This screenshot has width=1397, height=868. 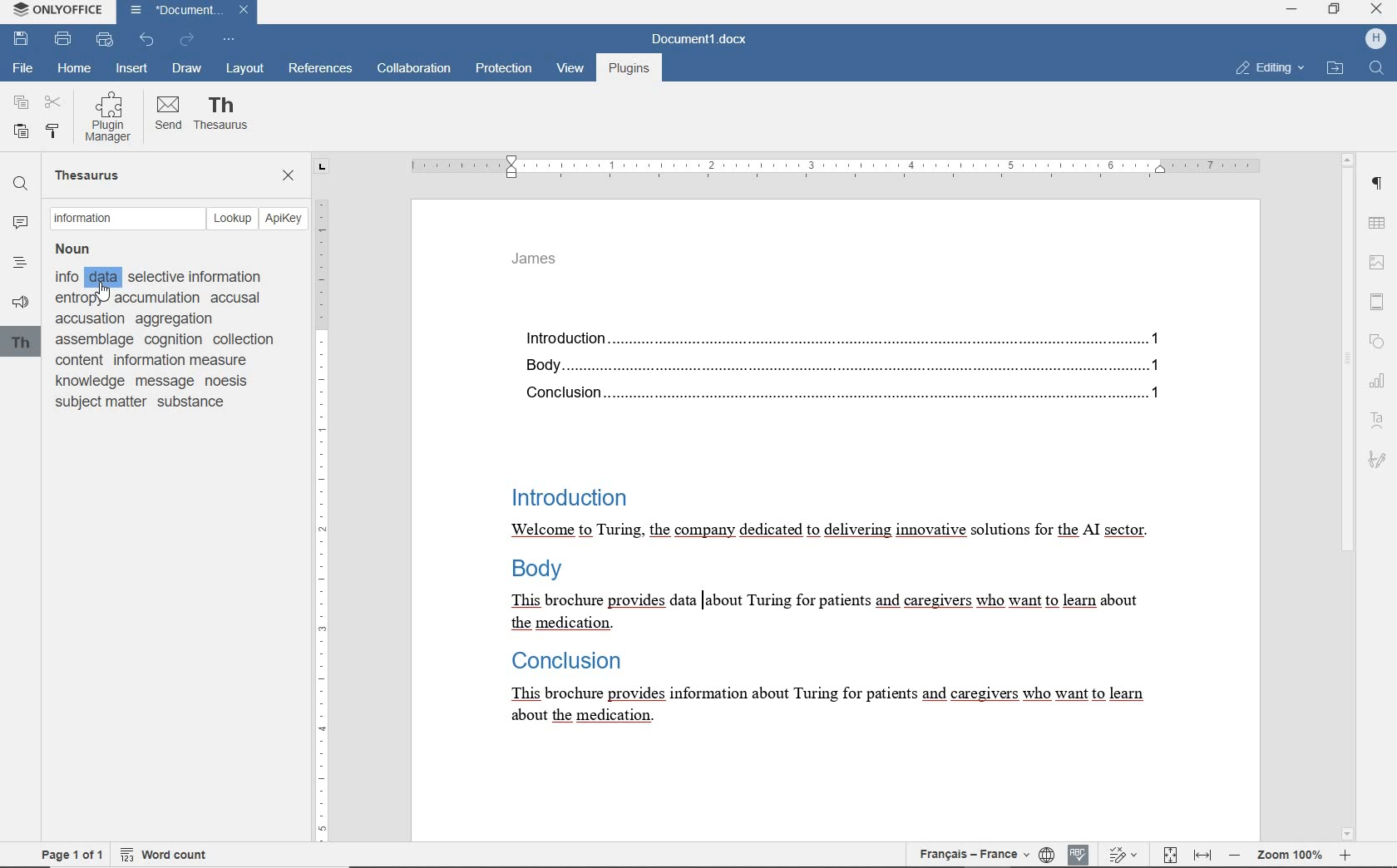 What do you see at coordinates (533, 259) in the screenshot?
I see `HEADER TEXT` at bounding box center [533, 259].